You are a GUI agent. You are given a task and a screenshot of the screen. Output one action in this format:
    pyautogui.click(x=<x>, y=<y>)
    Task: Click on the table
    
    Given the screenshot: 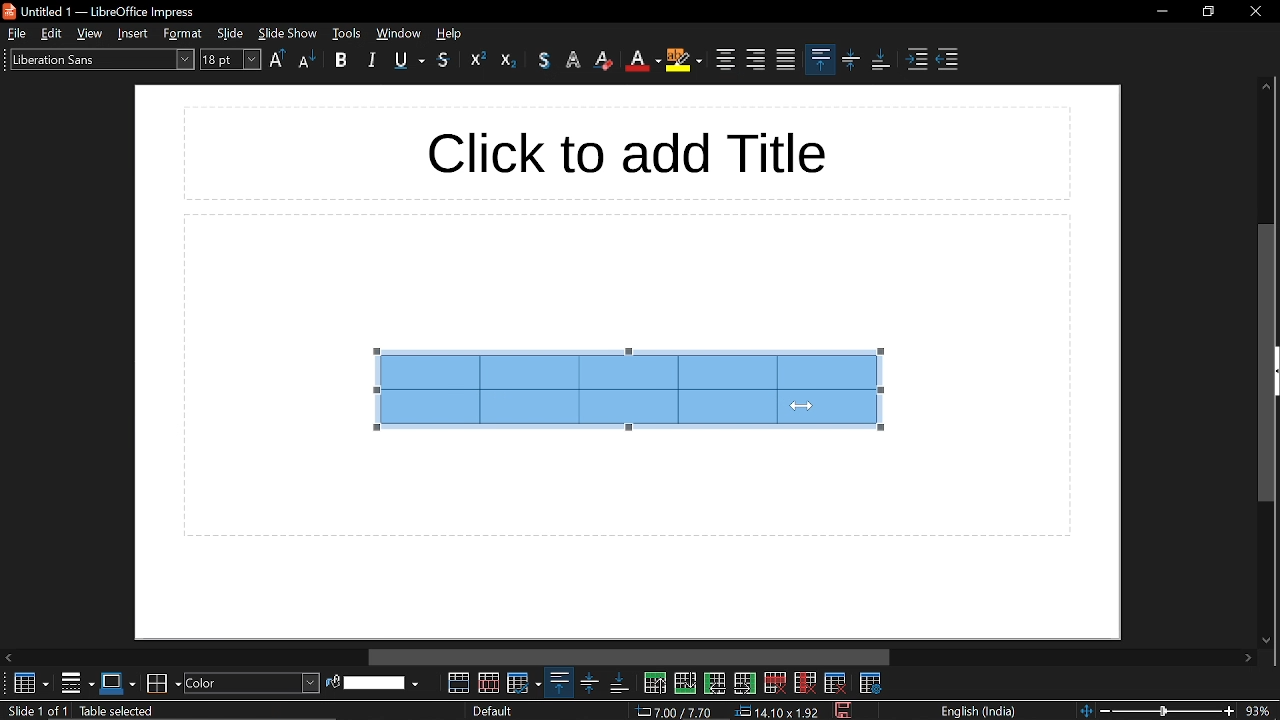 What is the action you would take?
    pyautogui.click(x=26, y=684)
    